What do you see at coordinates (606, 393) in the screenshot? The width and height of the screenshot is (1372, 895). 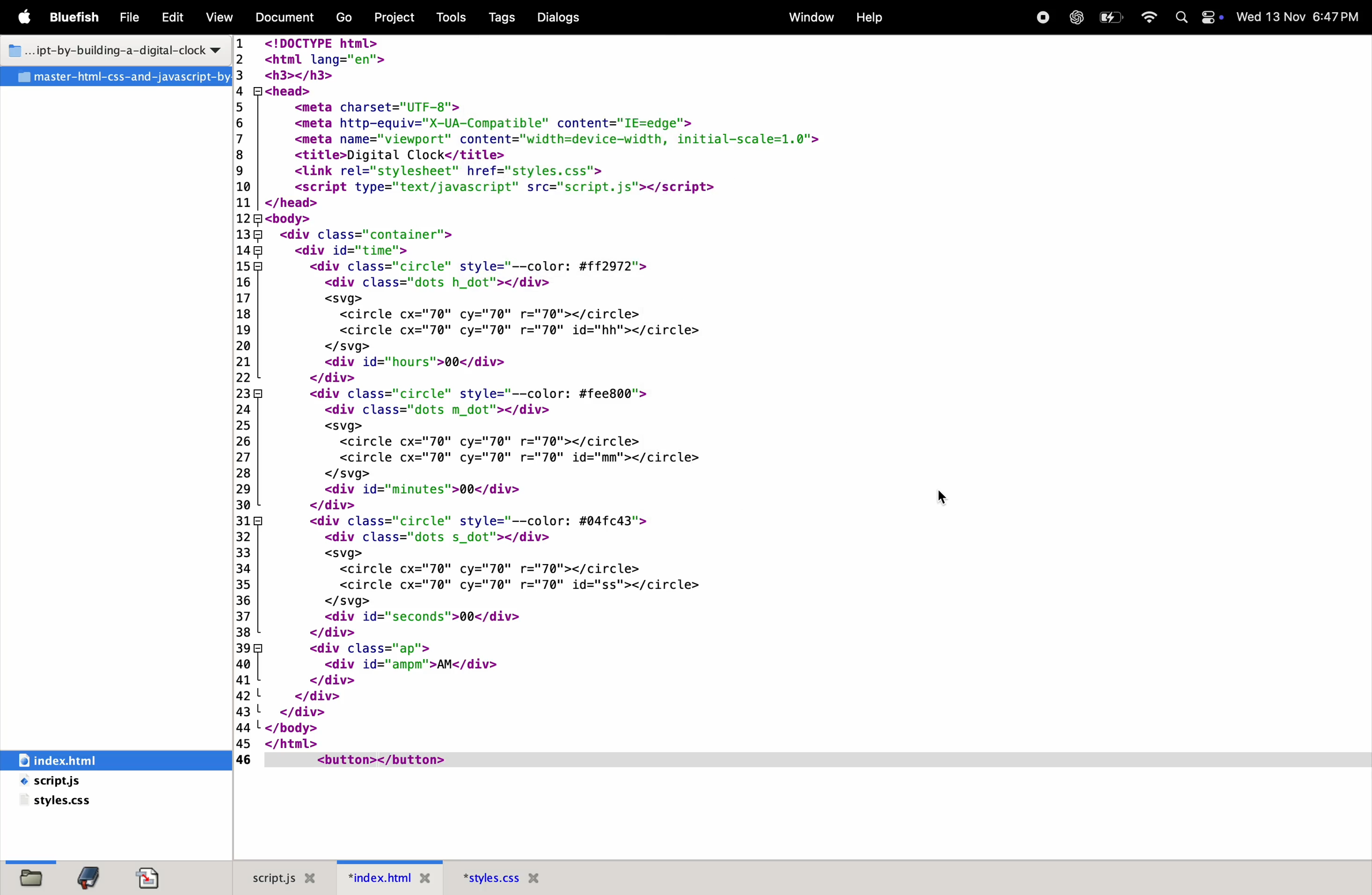 I see `code block` at bounding box center [606, 393].